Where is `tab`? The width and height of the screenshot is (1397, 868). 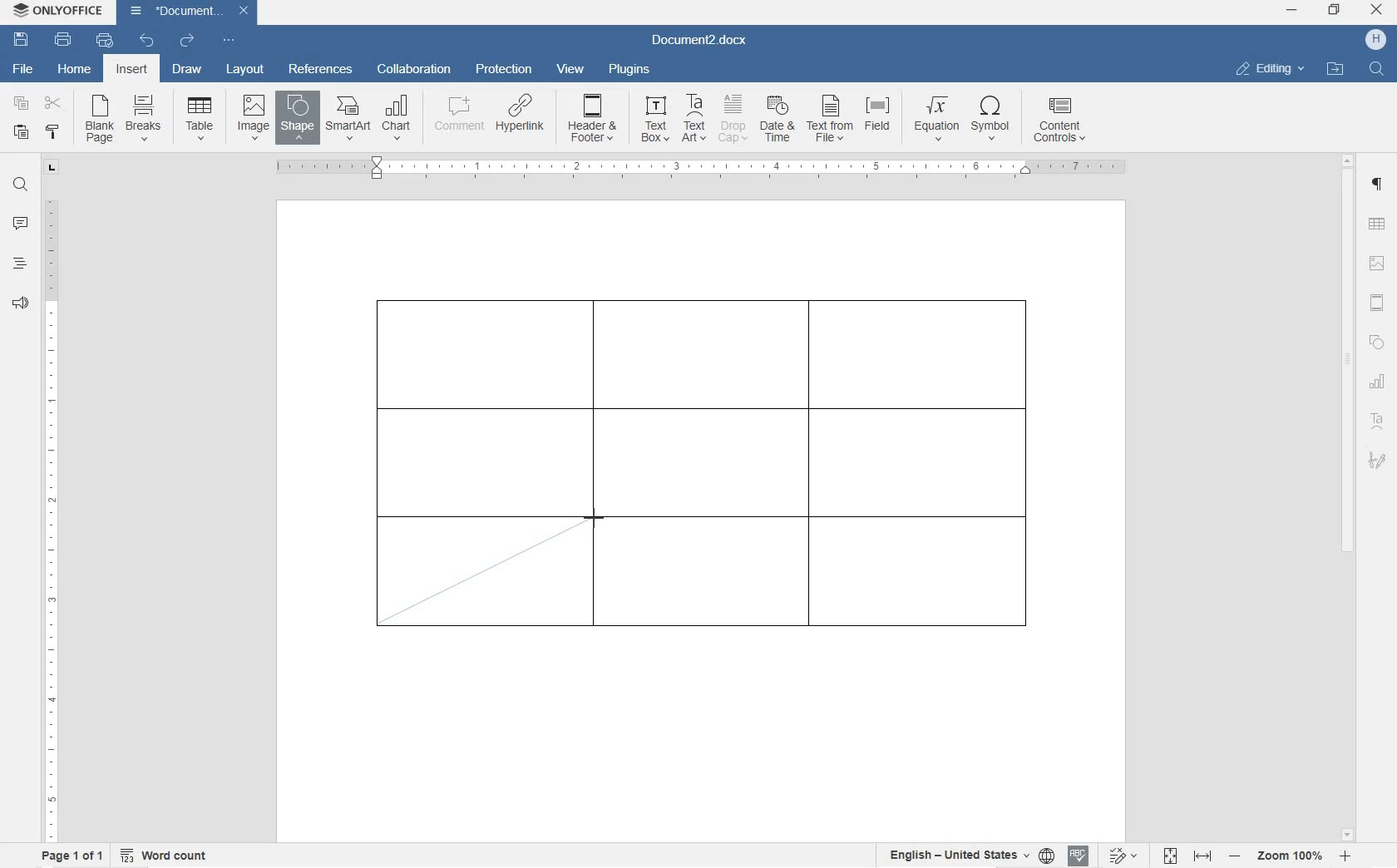
tab is located at coordinates (53, 170).